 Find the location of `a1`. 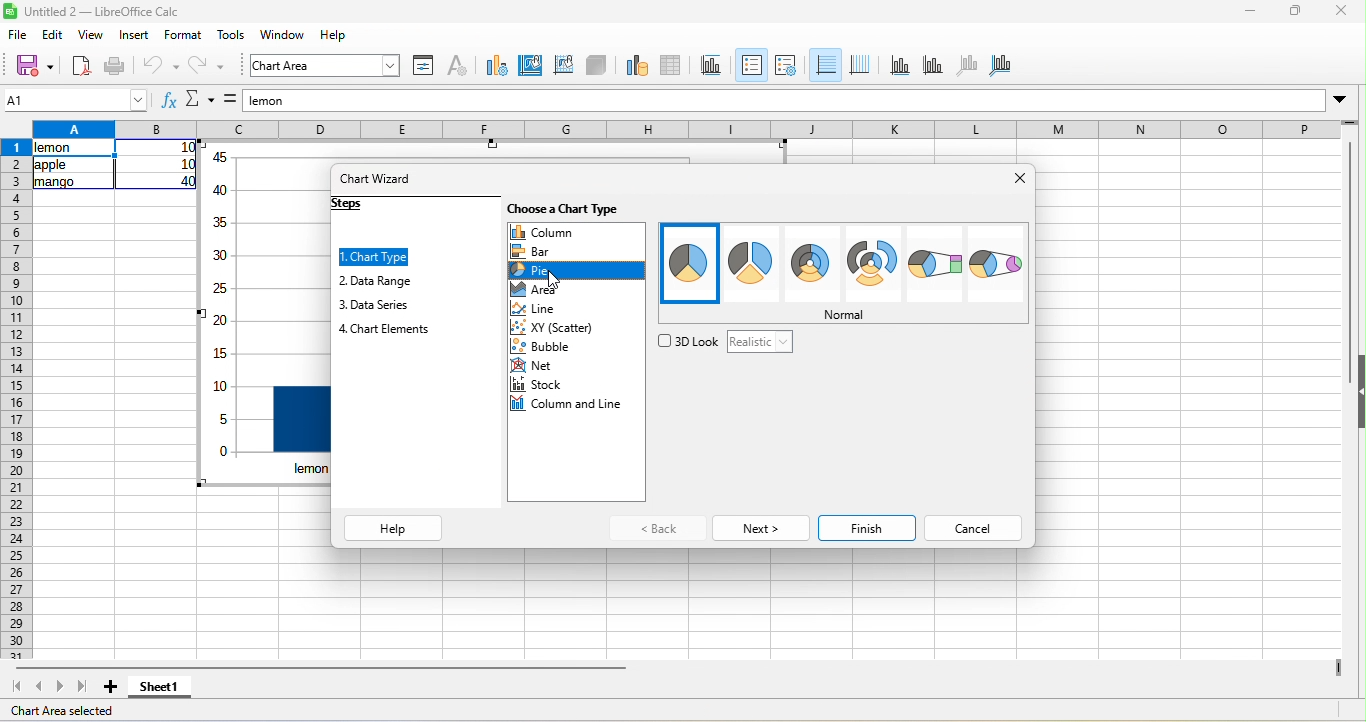

a1 is located at coordinates (76, 100).